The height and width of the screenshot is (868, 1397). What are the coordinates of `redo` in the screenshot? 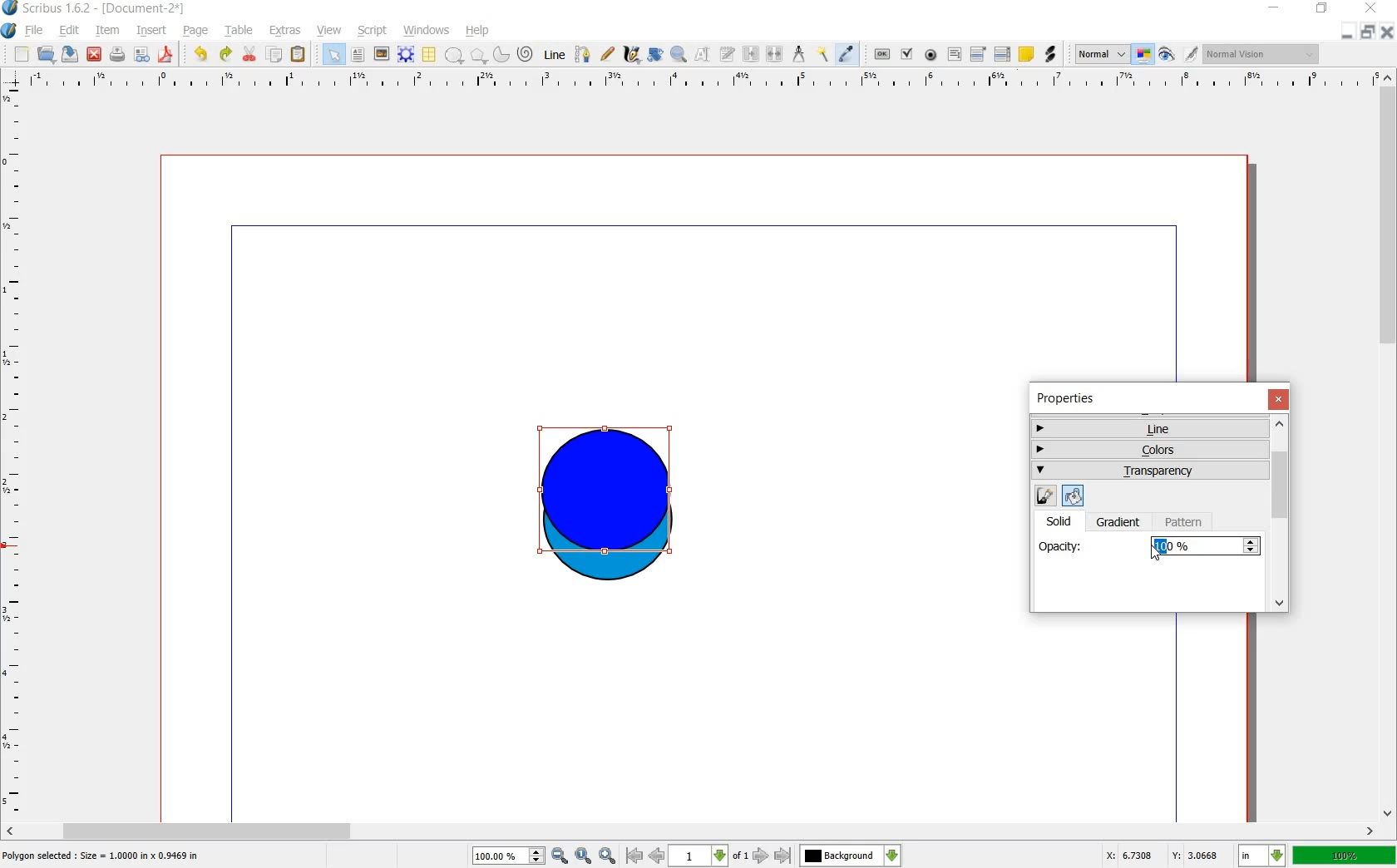 It's located at (225, 55).